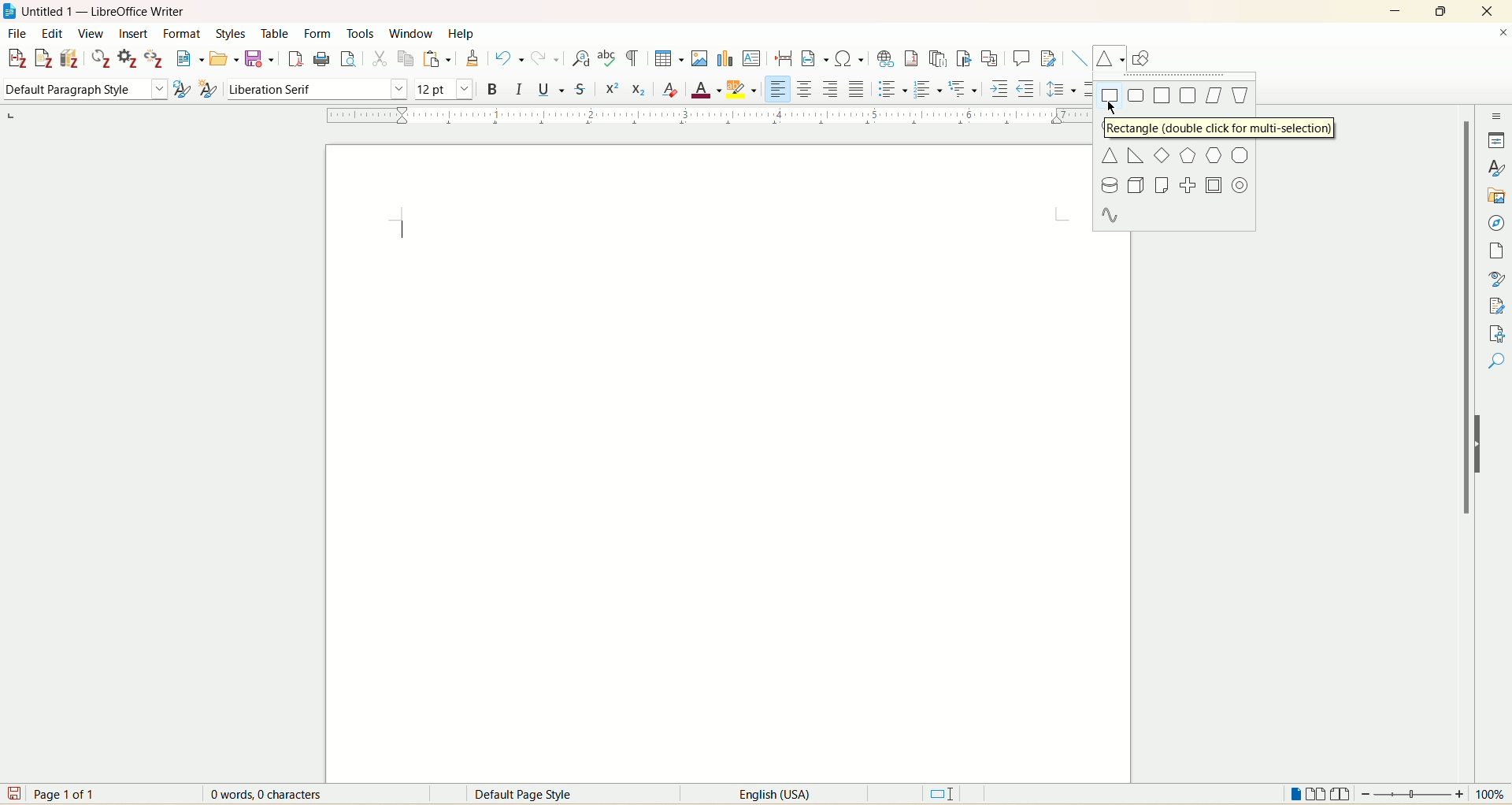 Image resolution: width=1512 pixels, height=805 pixels. I want to click on book view, so click(1340, 794).